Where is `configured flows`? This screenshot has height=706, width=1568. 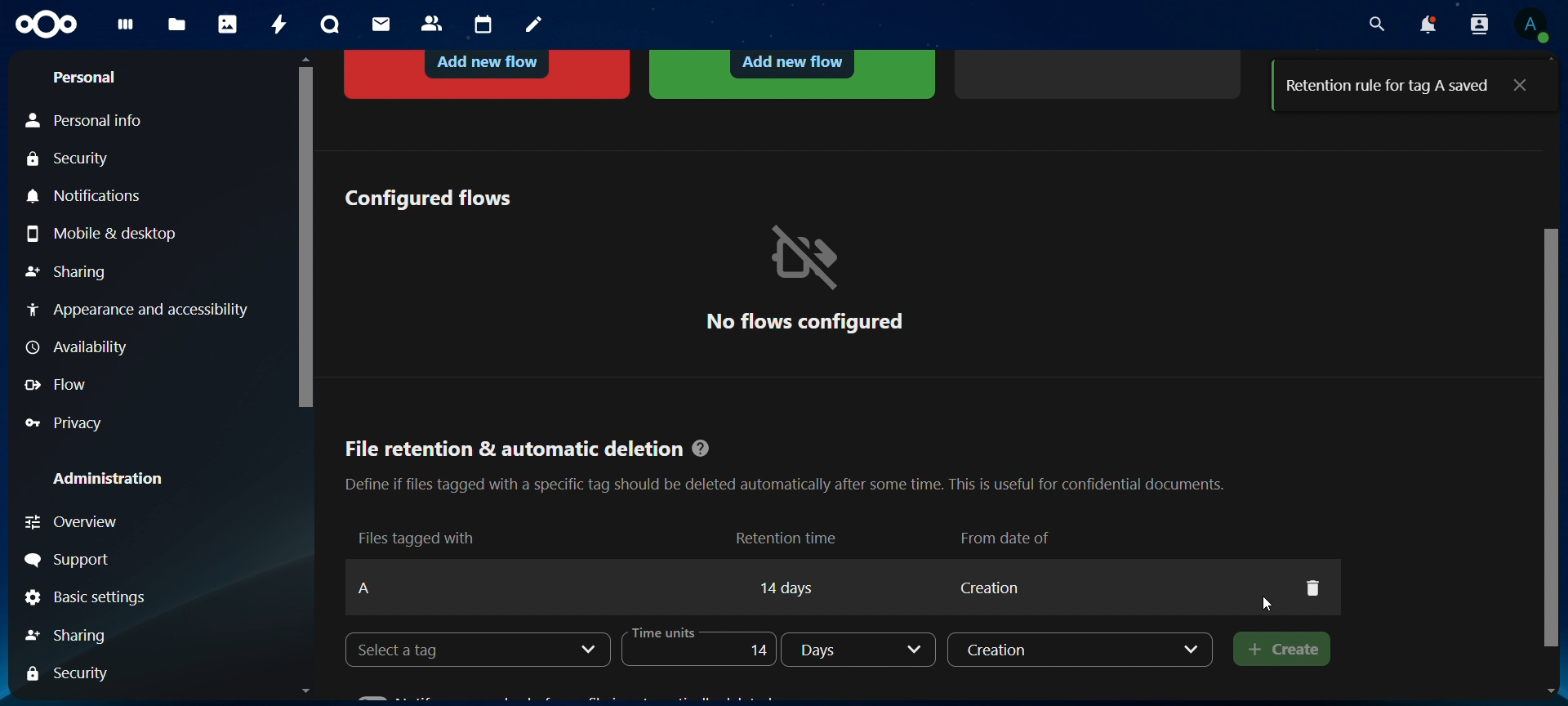 configured flows is located at coordinates (427, 197).